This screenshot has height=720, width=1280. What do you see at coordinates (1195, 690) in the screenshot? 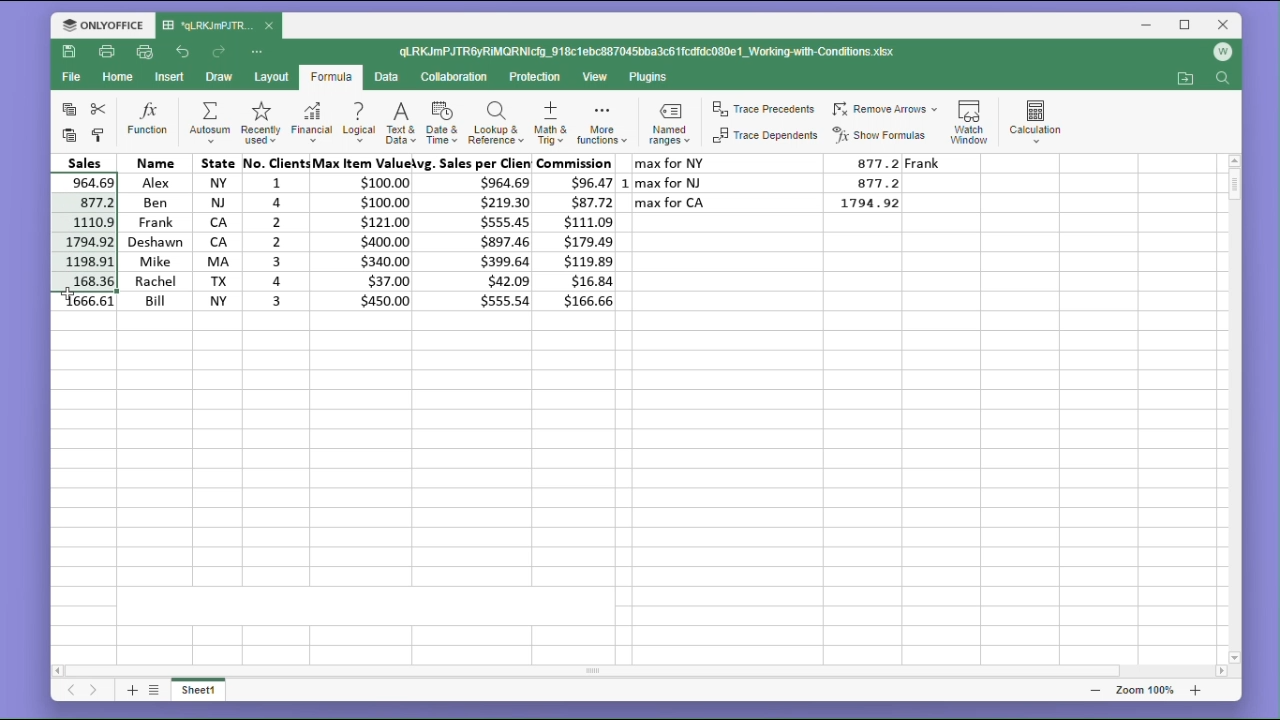
I see `zoom in` at bounding box center [1195, 690].